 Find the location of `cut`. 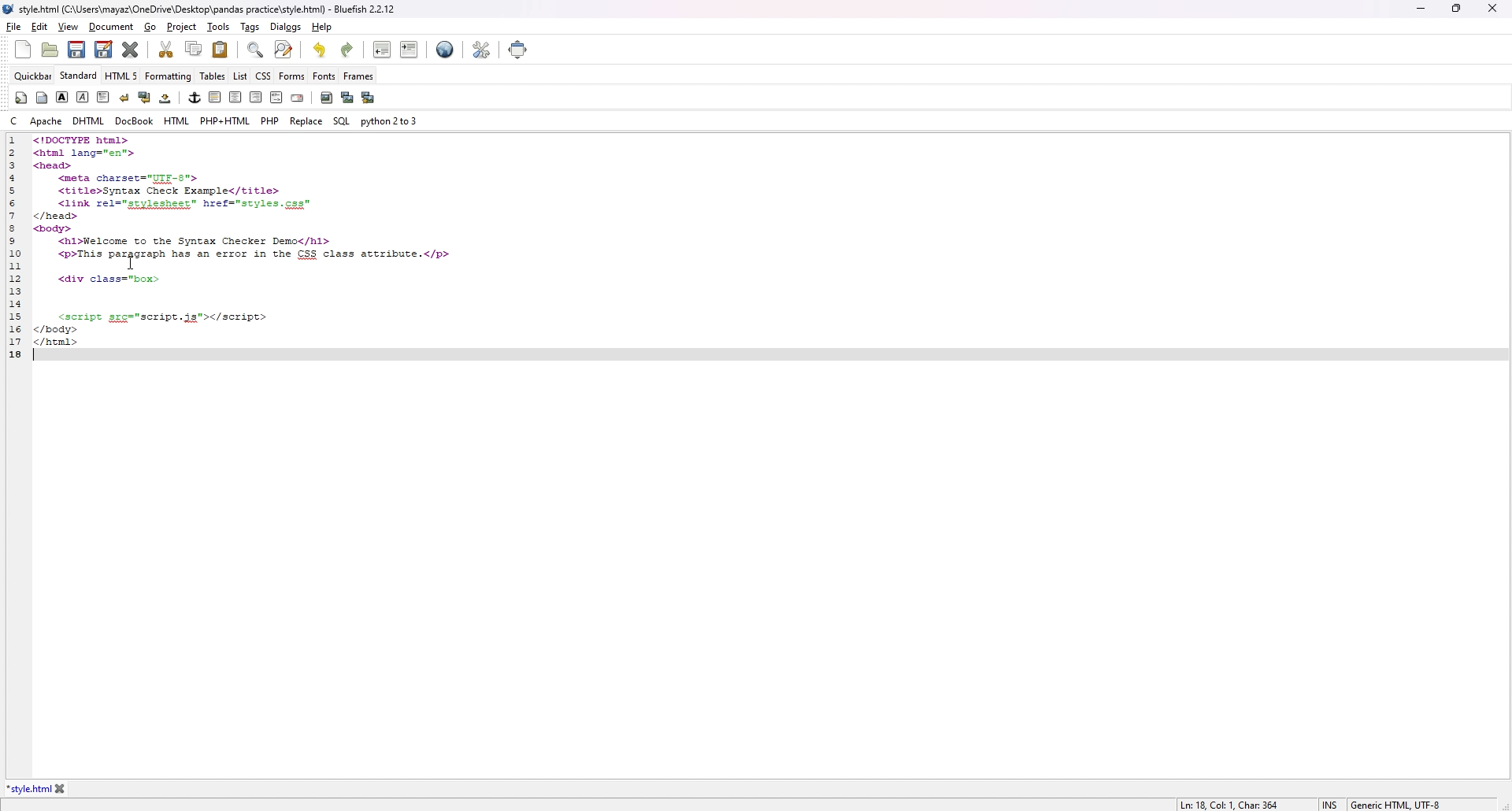

cut is located at coordinates (167, 49).